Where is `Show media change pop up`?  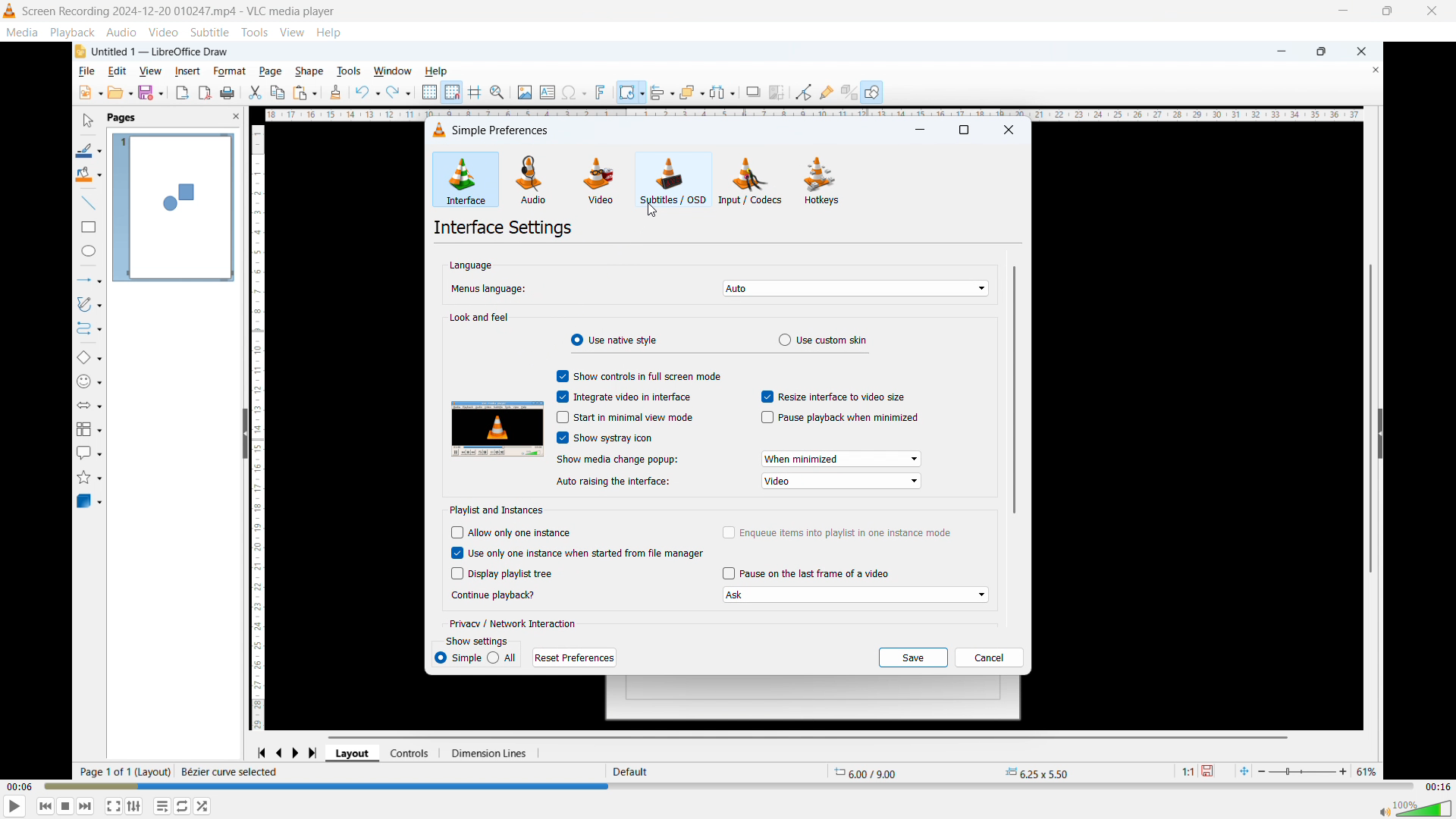 Show media change pop up is located at coordinates (630, 460).